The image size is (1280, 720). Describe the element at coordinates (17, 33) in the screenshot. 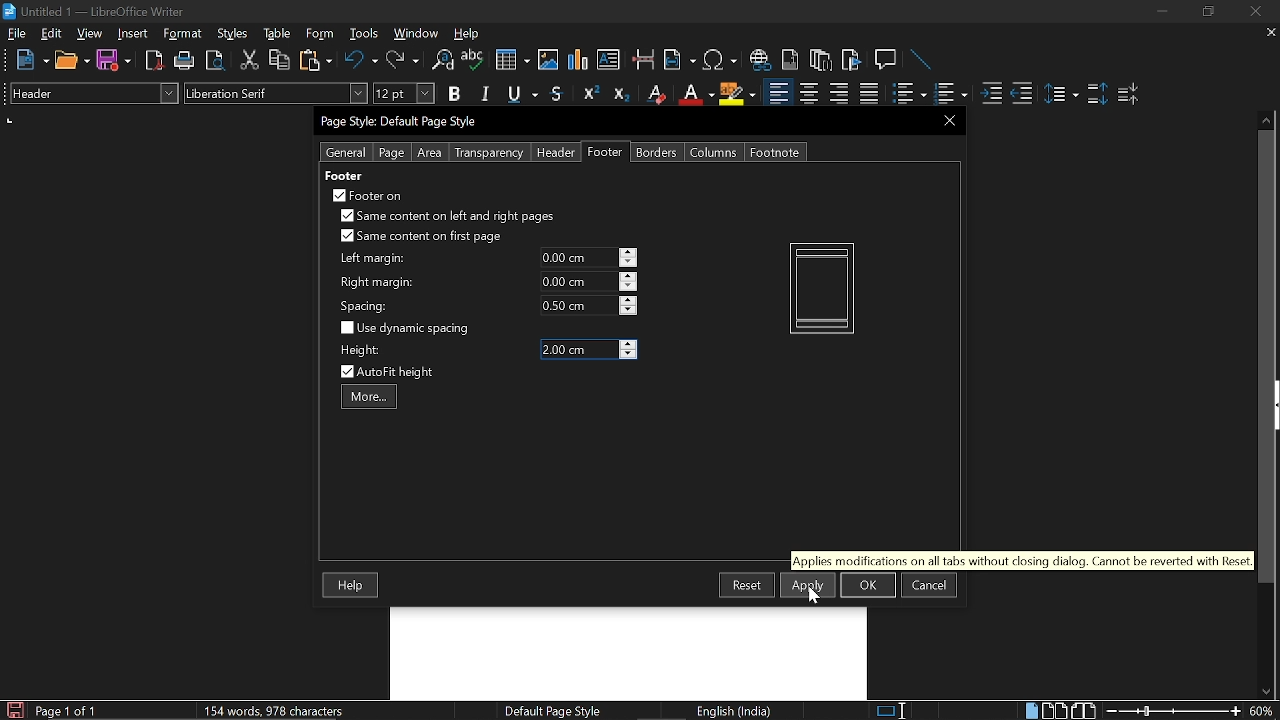

I see `File` at that location.